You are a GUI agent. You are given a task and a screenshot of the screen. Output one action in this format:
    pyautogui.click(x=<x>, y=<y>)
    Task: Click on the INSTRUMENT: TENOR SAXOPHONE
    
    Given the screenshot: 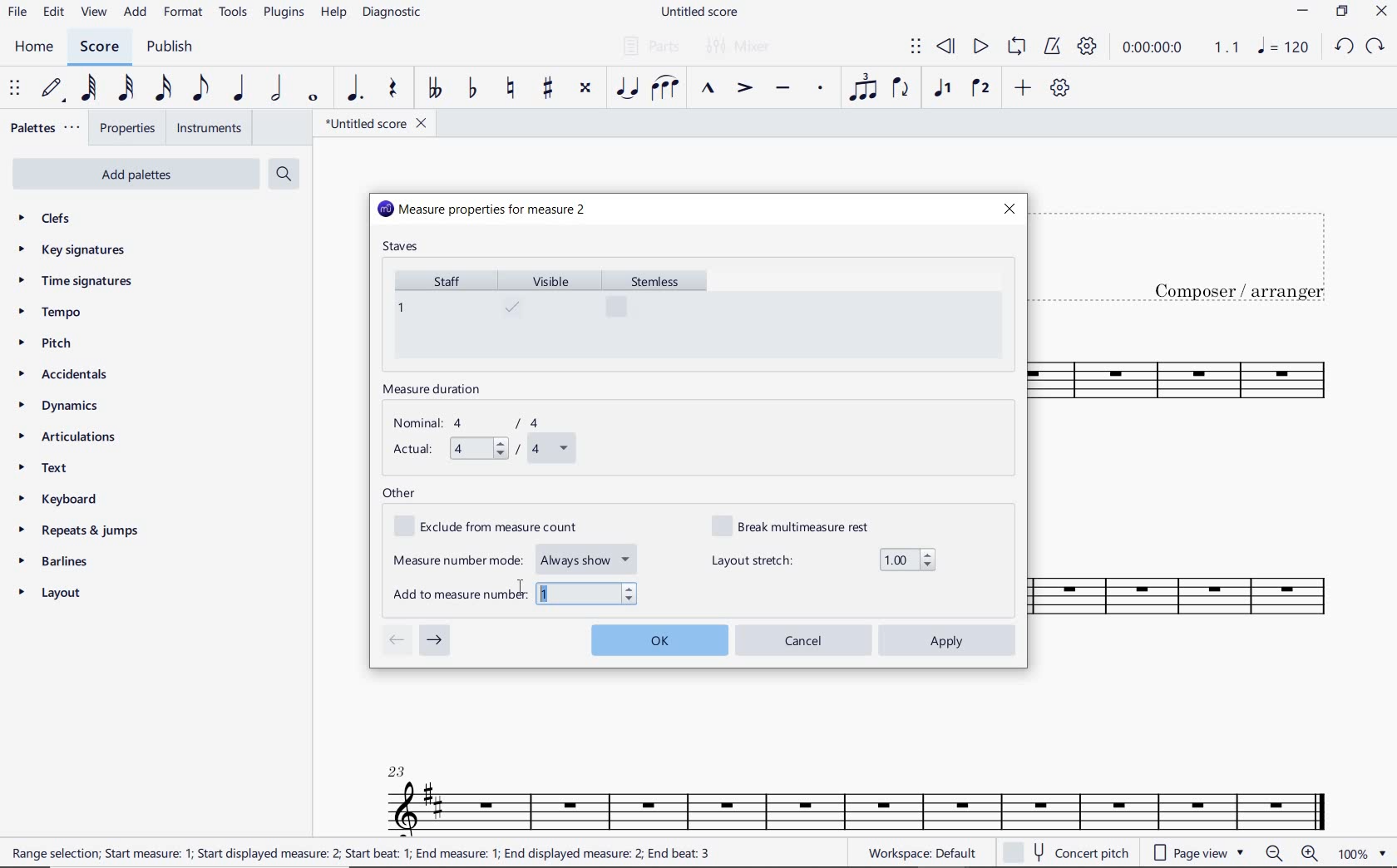 What is the action you would take?
    pyautogui.click(x=857, y=787)
    